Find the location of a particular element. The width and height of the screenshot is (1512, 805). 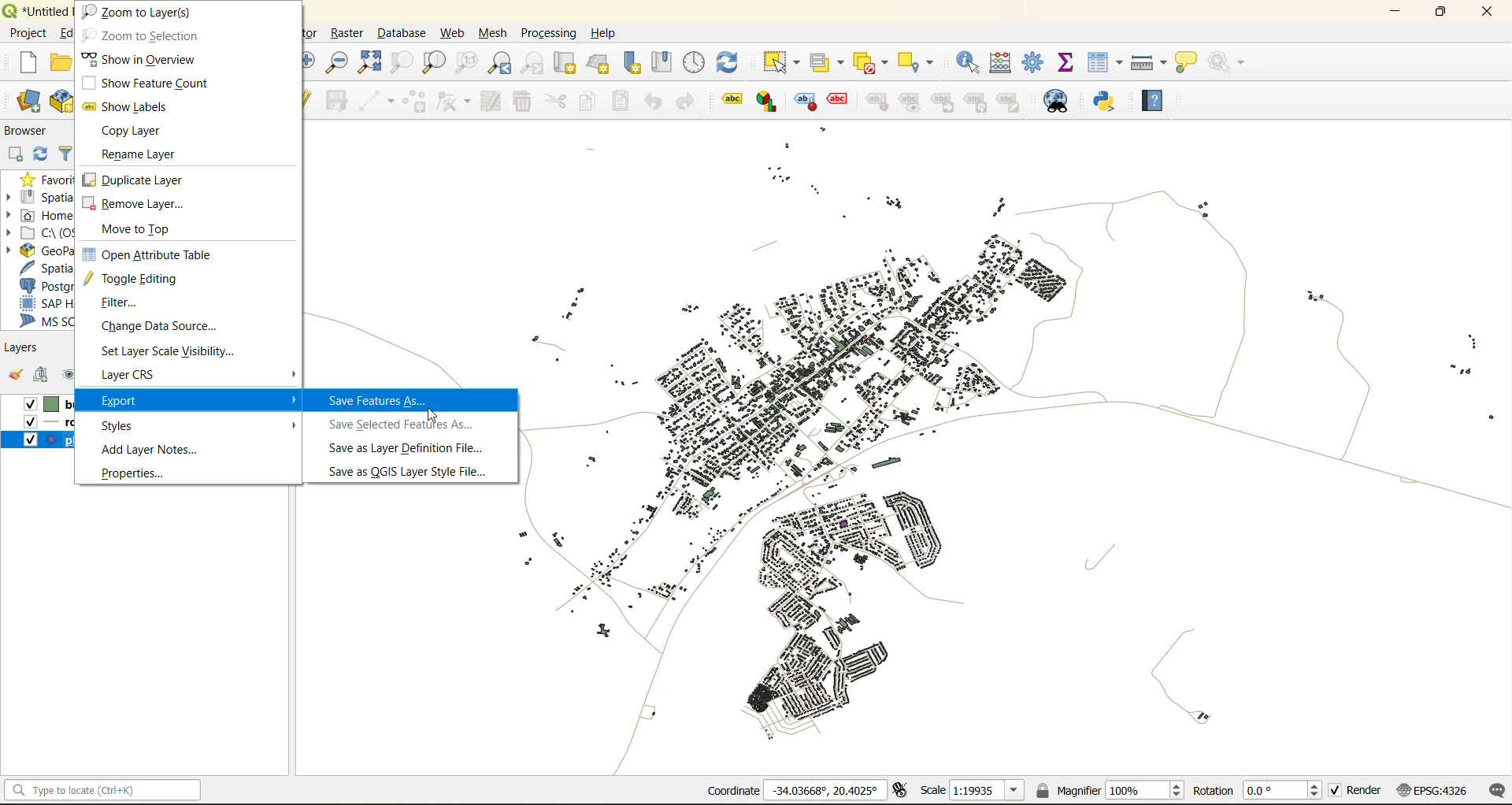

zoom last is located at coordinates (497, 62).